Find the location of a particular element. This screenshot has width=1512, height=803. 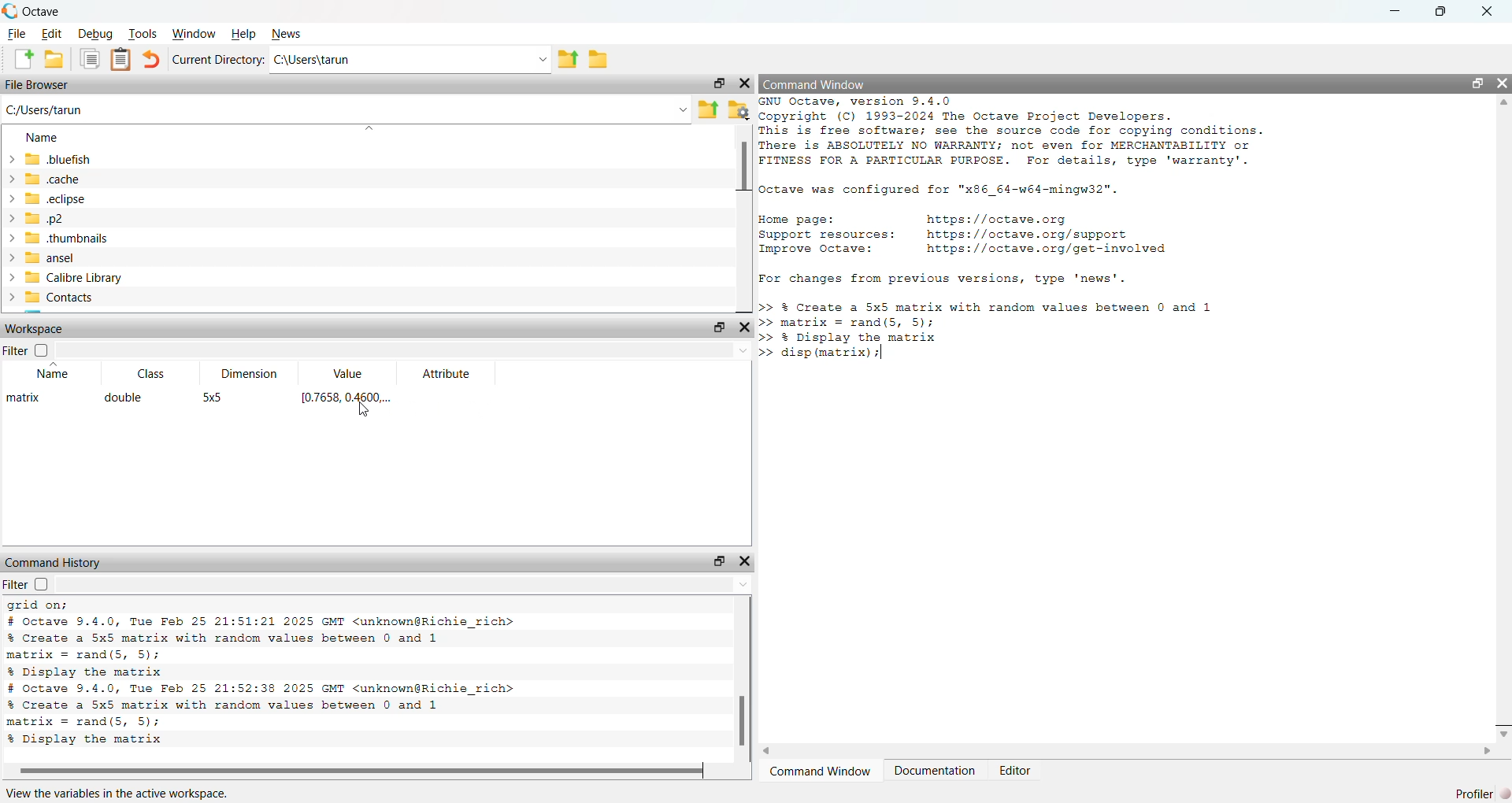

Tools is located at coordinates (144, 32).